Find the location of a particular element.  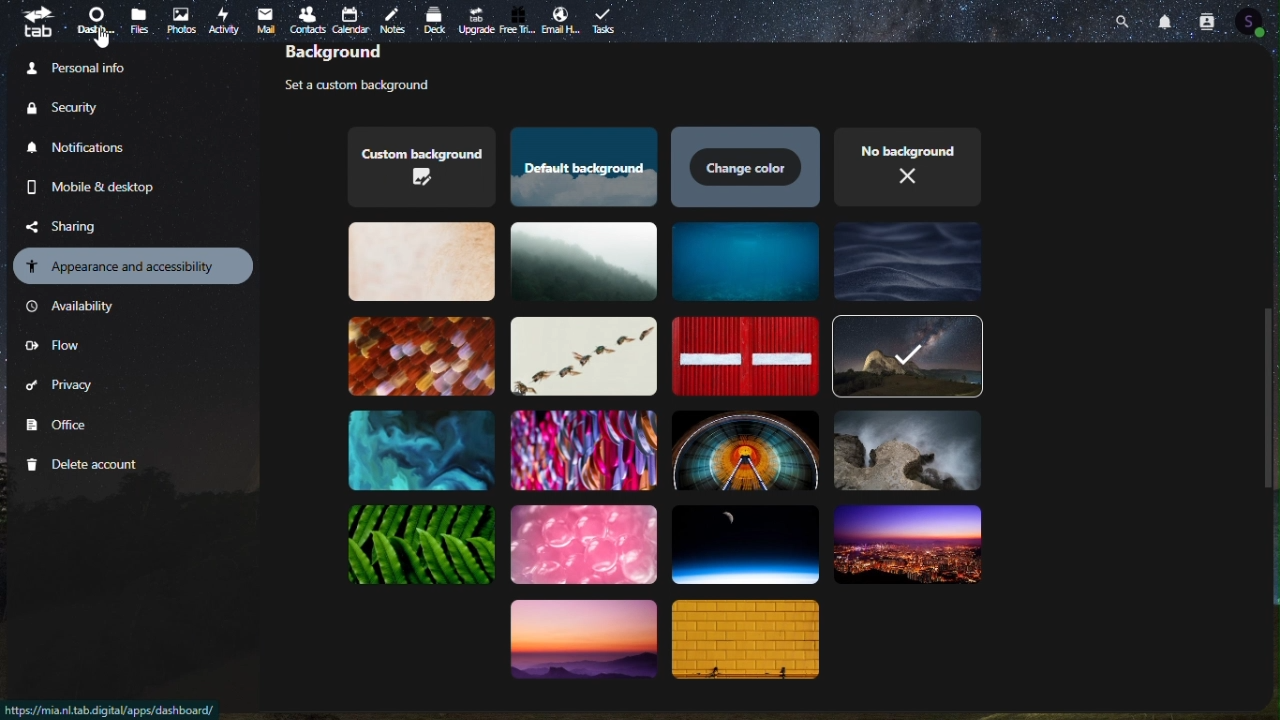

tab is located at coordinates (35, 21).